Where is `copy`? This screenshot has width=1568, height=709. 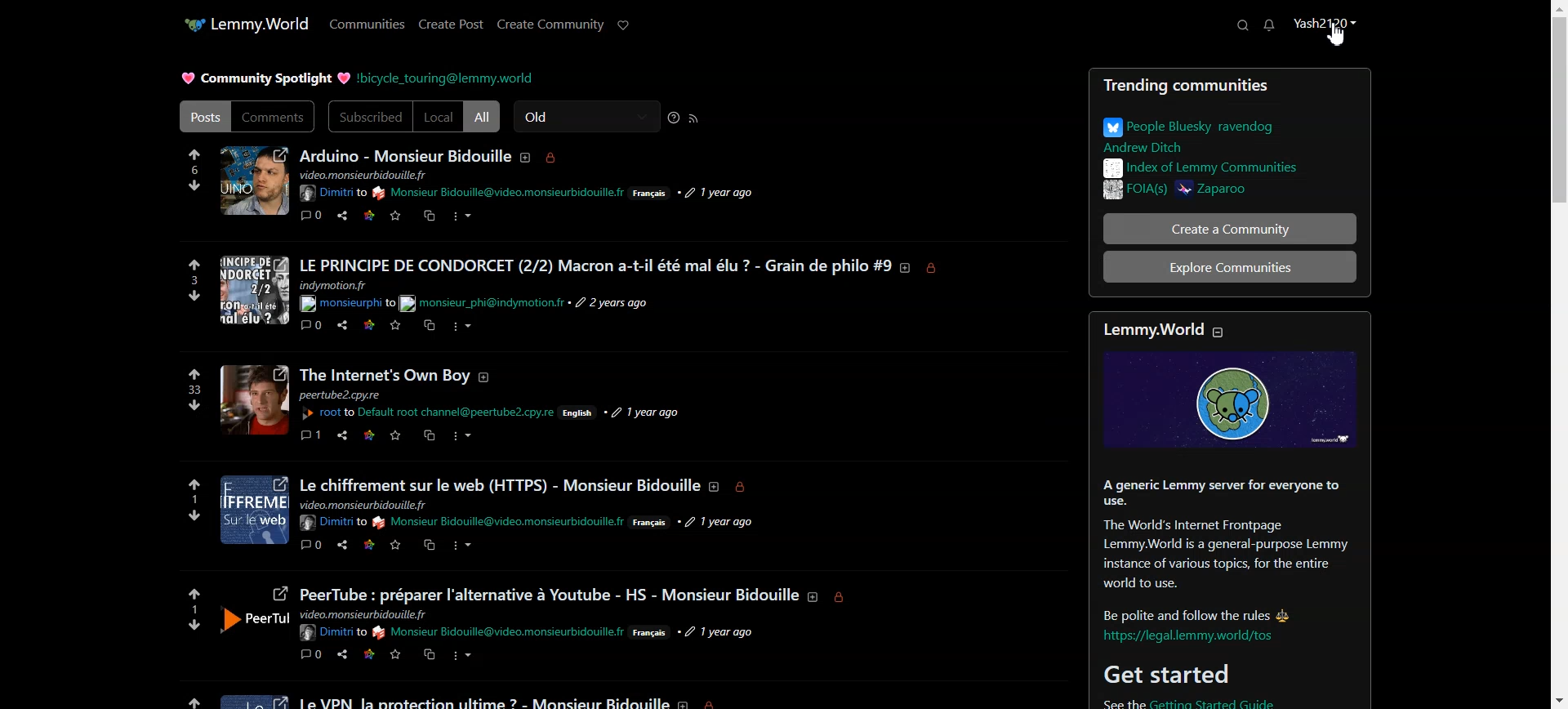 copy is located at coordinates (429, 438).